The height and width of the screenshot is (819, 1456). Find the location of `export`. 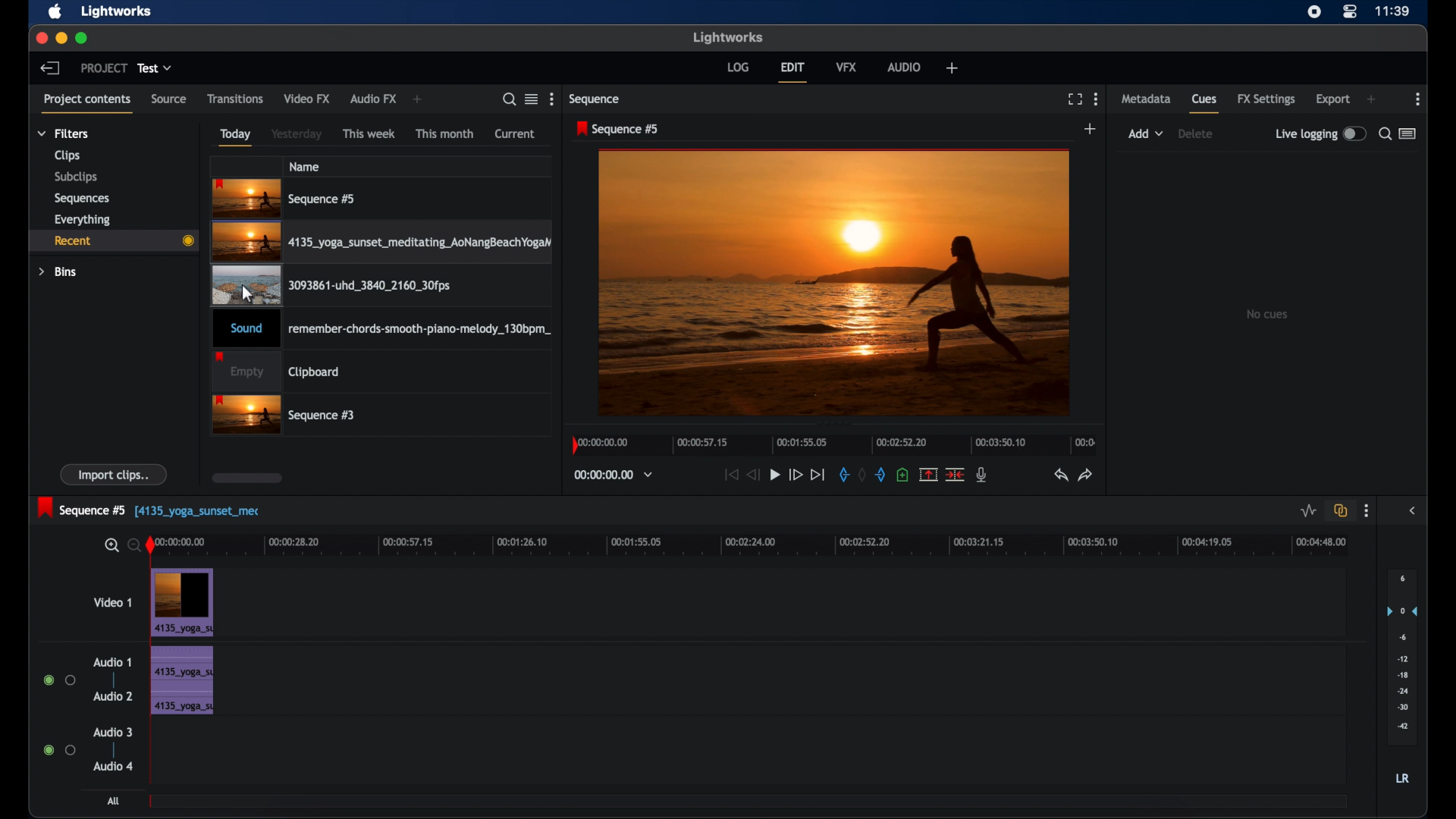

export is located at coordinates (1332, 99).